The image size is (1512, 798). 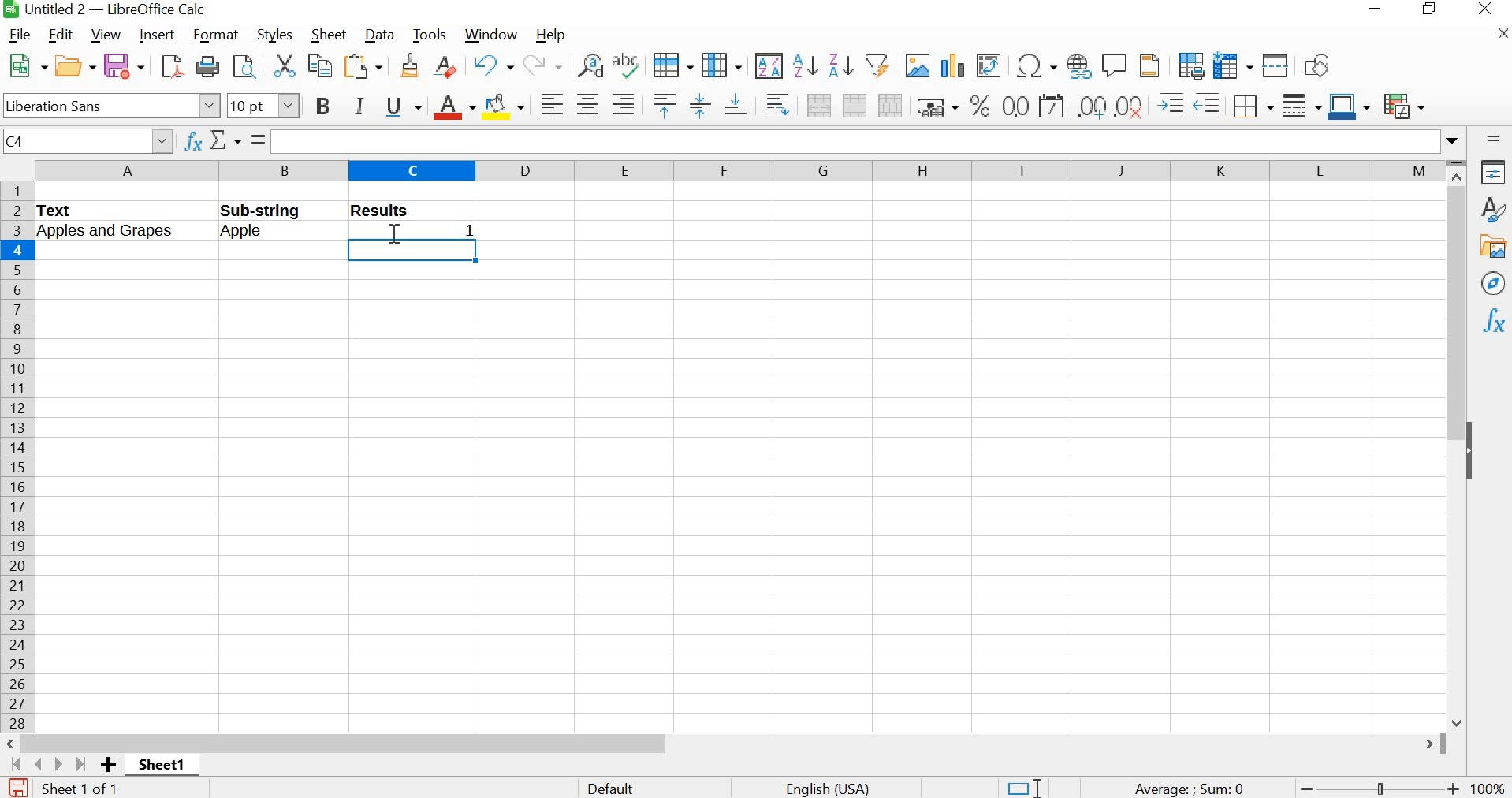 I want to click on cells, so click(x=737, y=497).